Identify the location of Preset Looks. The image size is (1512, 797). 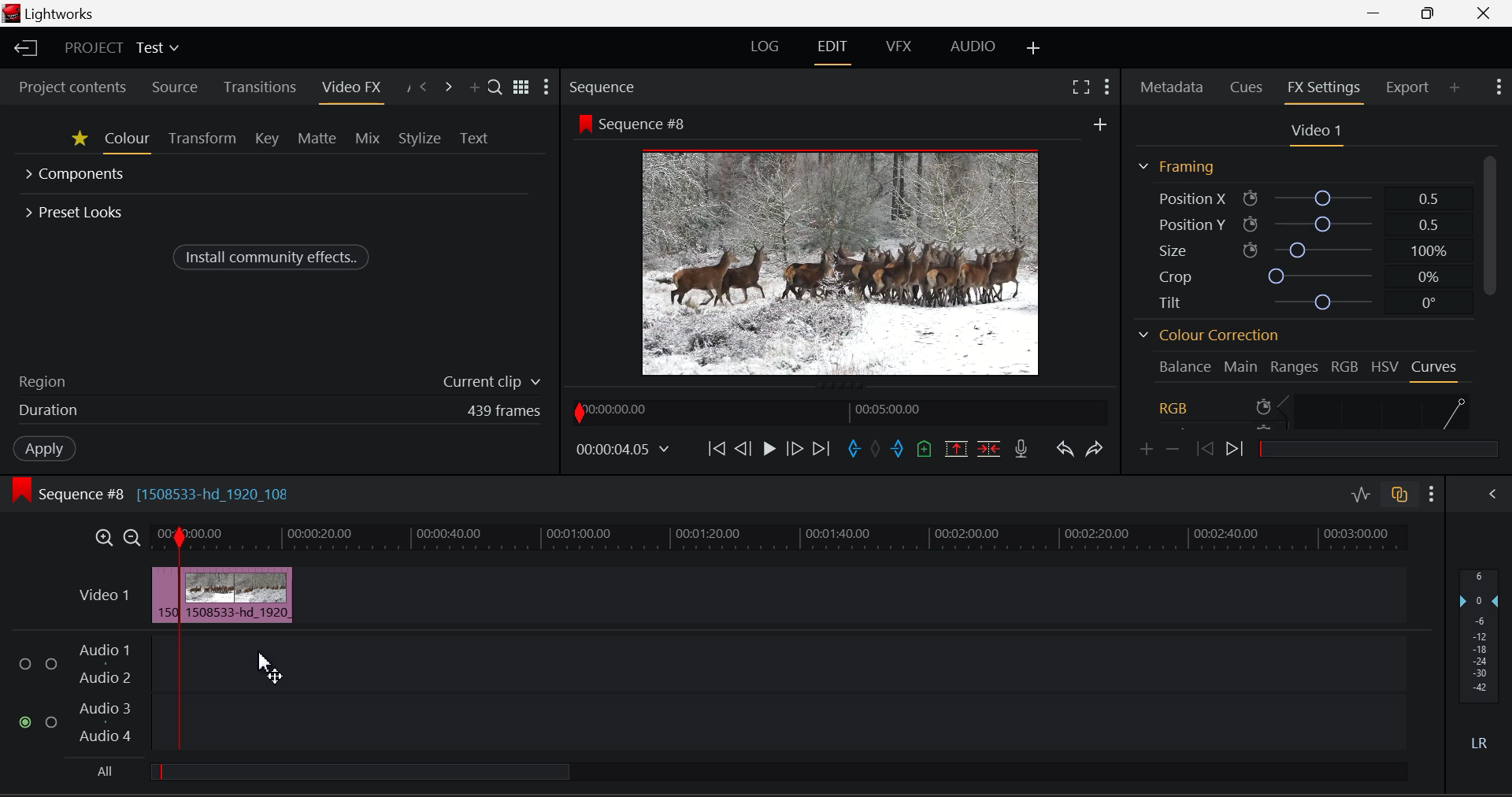
(76, 210).